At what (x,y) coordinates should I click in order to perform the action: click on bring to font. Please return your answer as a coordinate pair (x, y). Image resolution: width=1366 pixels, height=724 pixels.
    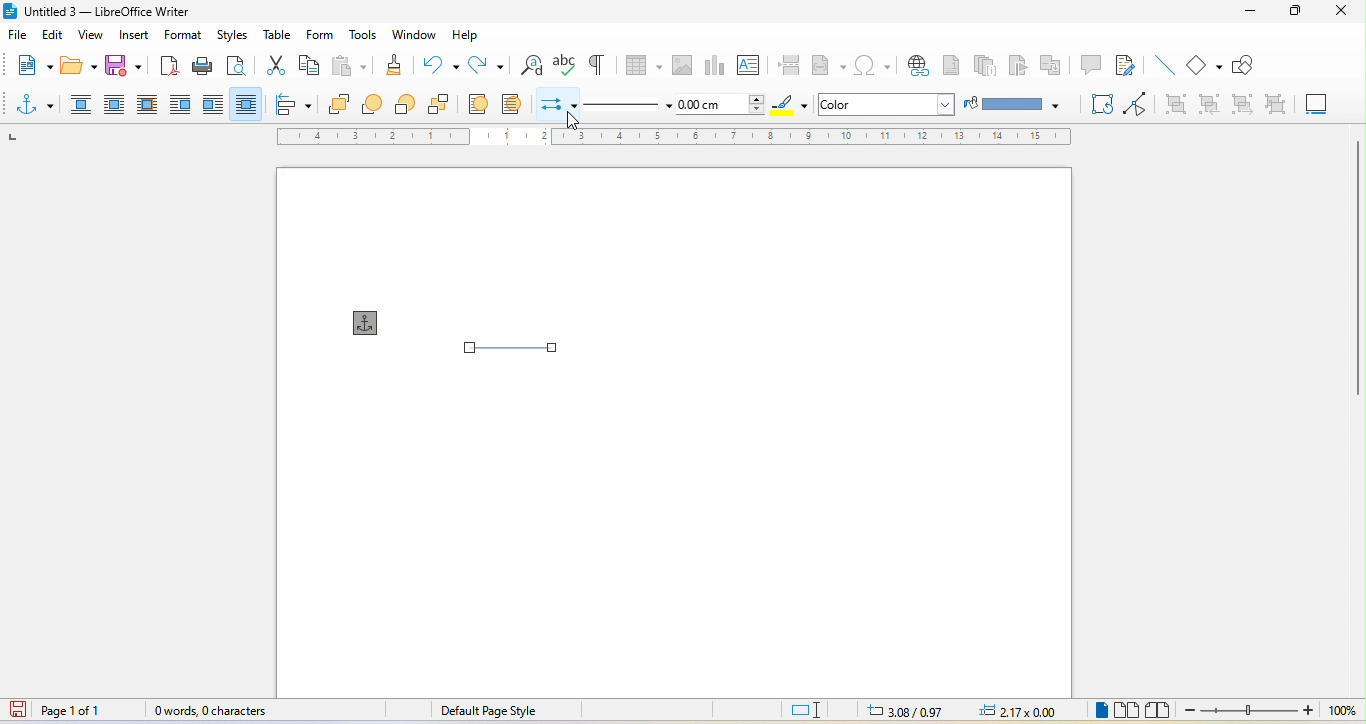
    Looking at the image, I should click on (342, 104).